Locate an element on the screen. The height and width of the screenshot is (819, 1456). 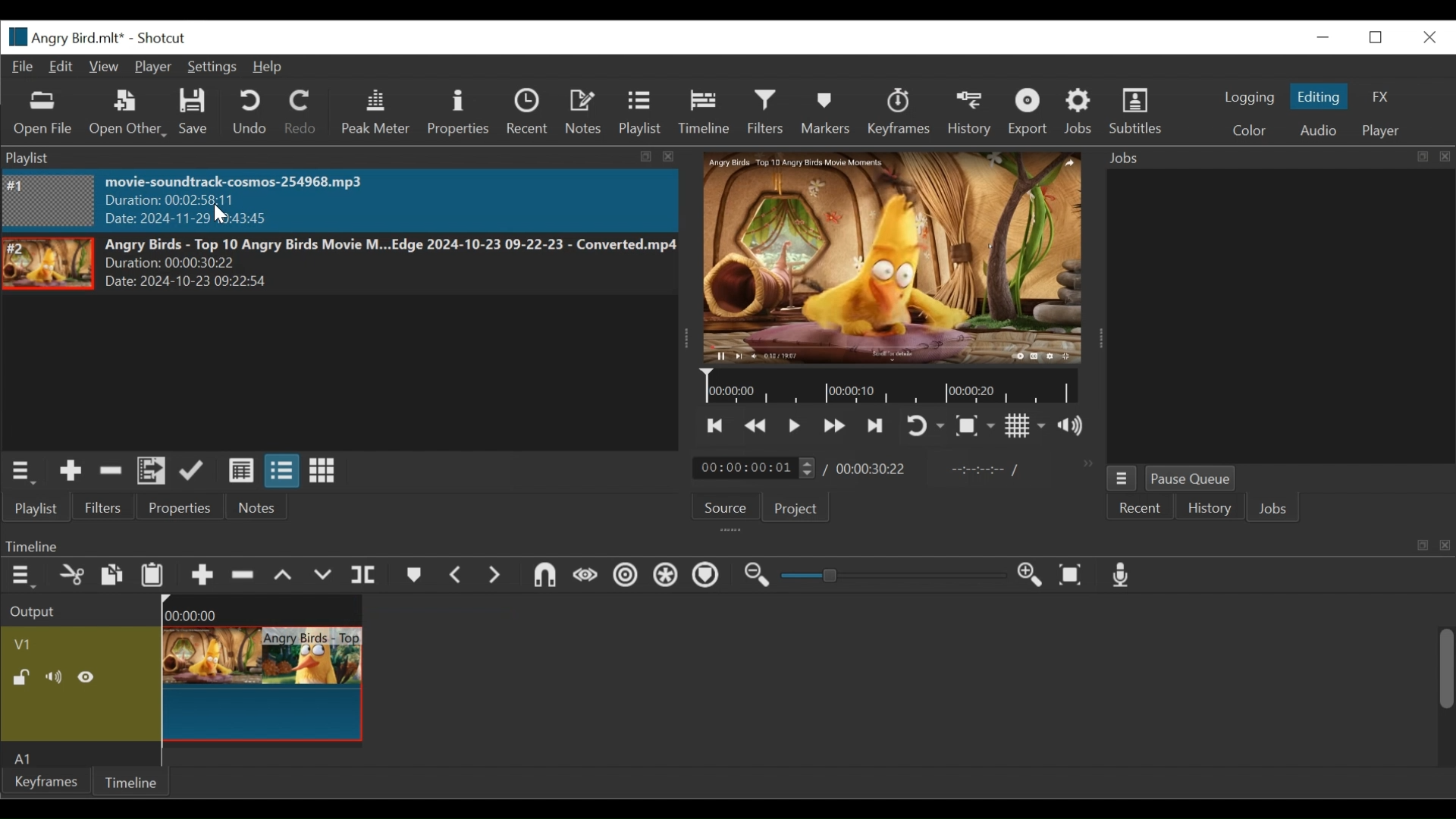
Recent is located at coordinates (1136, 510).